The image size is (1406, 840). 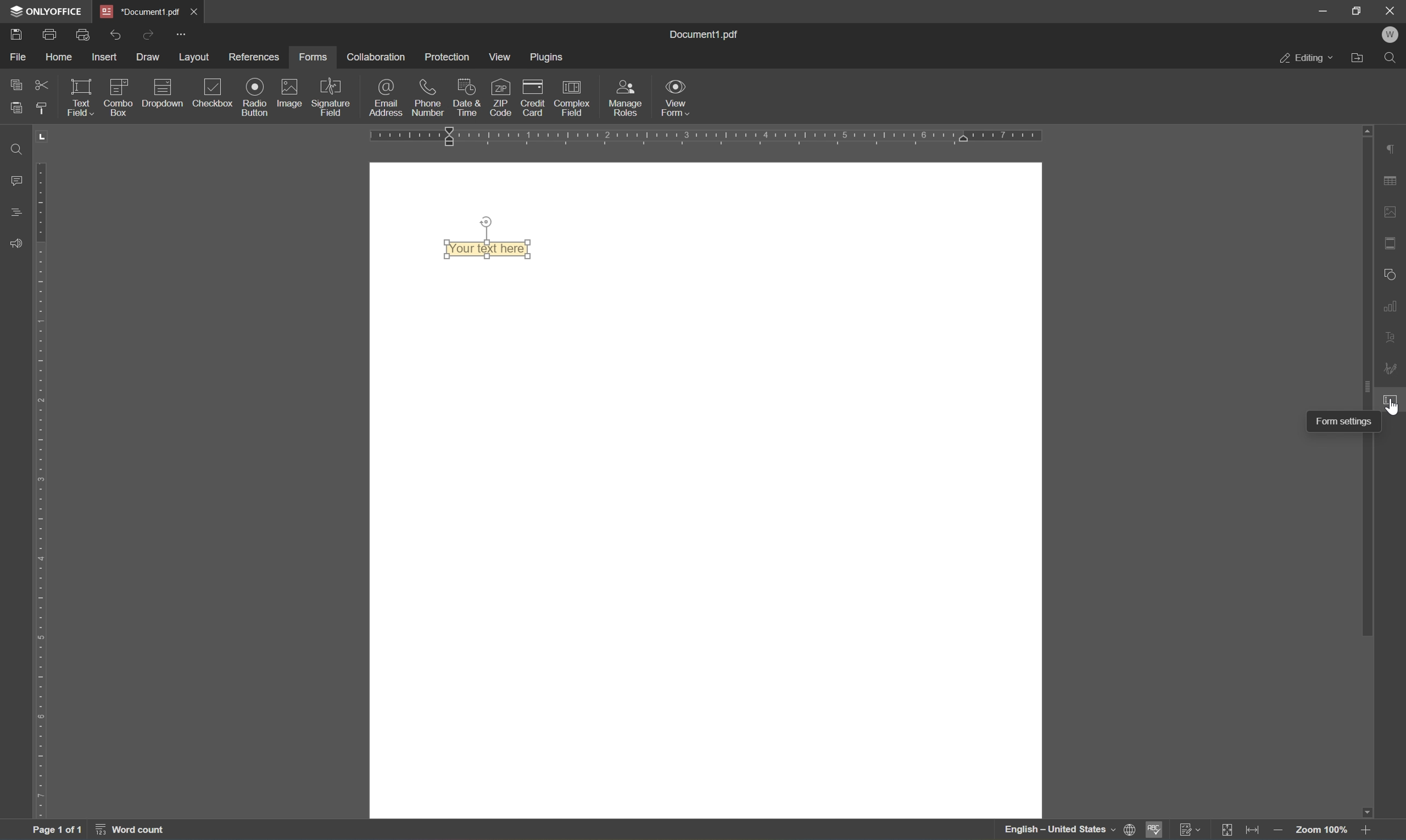 What do you see at coordinates (1229, 829) in the screenshot?
I see `fit to page` at bounding box center [1229, 829].